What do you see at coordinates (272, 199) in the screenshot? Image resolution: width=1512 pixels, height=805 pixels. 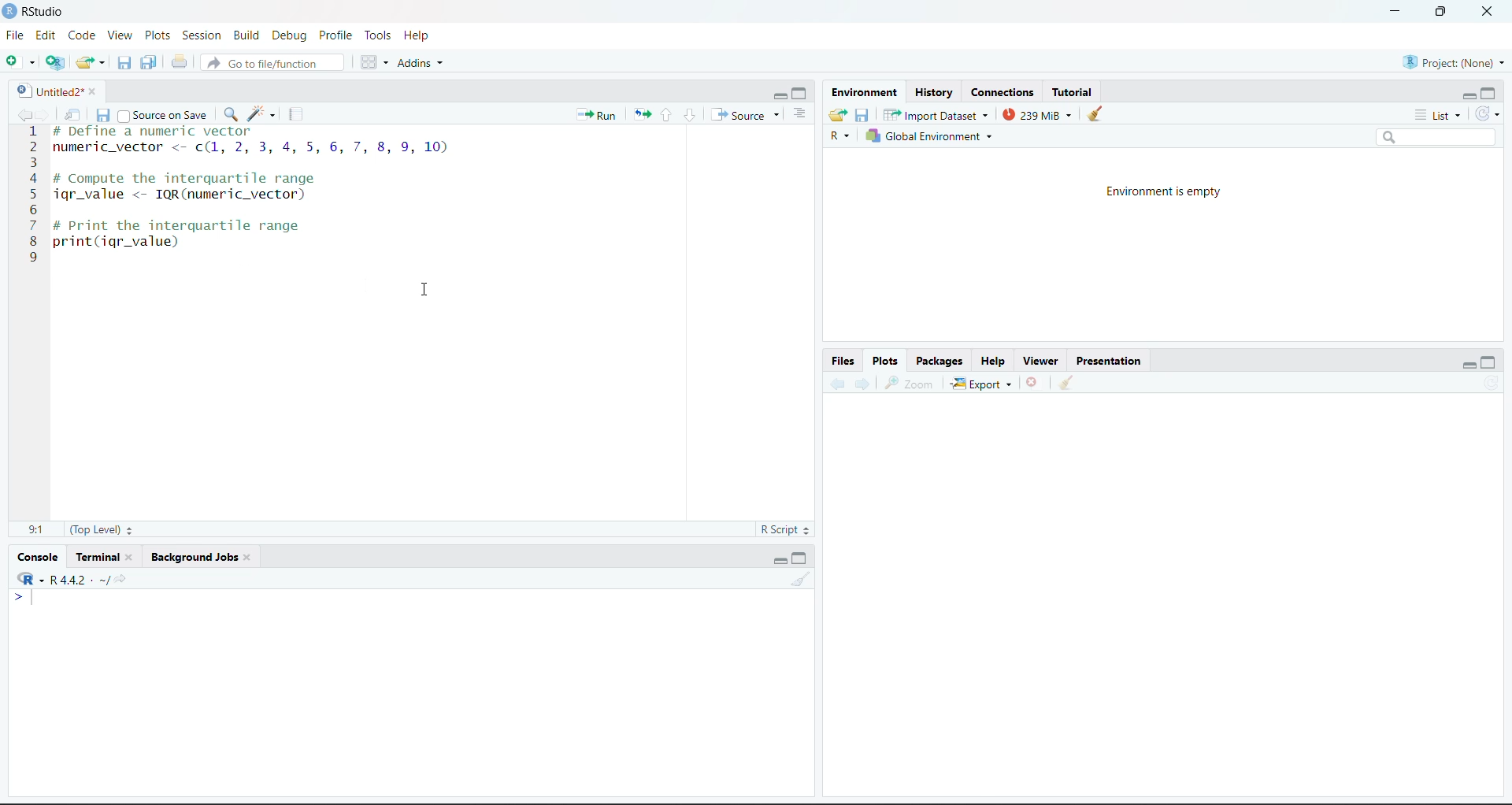 I see `fr Suns qe. 5 GEoe—— We S—-
numeric_vector <- c(1, 2, 3, 4, 5, 6, 7, 8, 9, 10)

# Compute the interquartile range

igr_value <- IQR(numeric_vector)

# Print the interquartile range

print(igr_value)` at bounding box center [272, 199].